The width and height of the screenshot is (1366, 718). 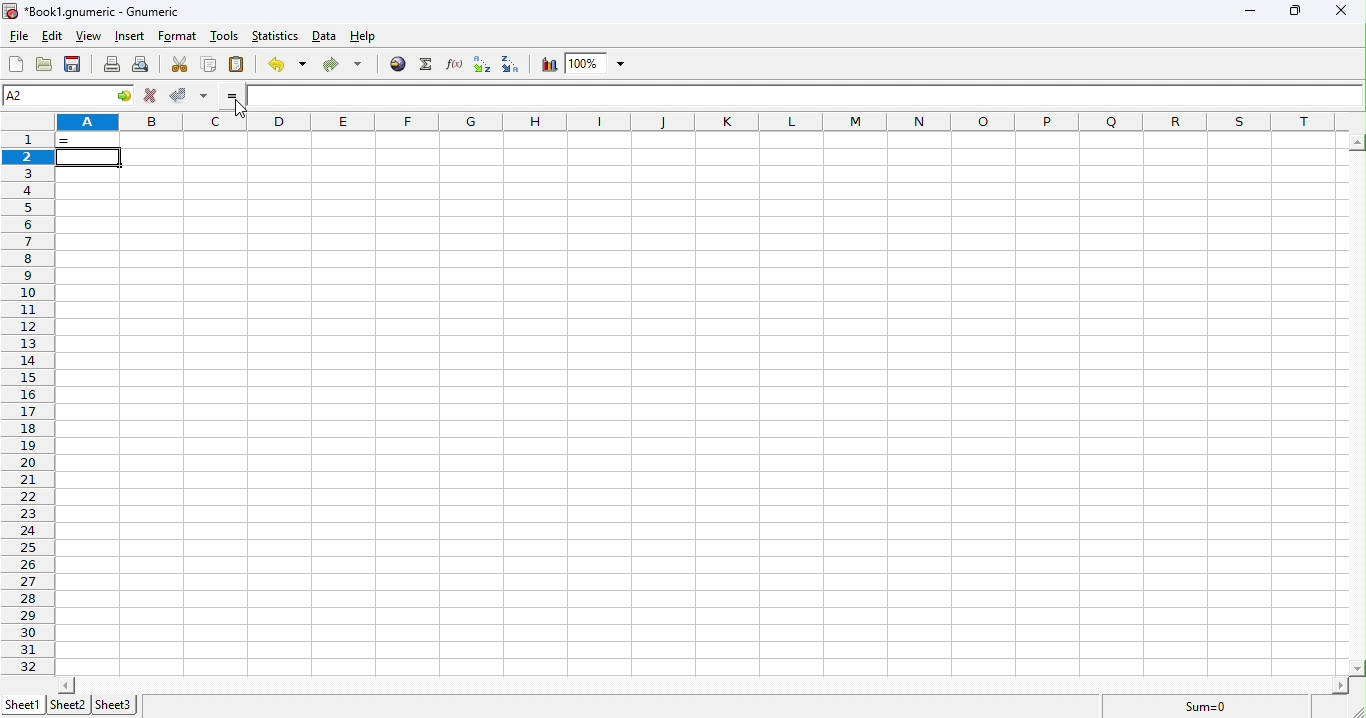 I want to click on chart, so click(x=549, y=65).